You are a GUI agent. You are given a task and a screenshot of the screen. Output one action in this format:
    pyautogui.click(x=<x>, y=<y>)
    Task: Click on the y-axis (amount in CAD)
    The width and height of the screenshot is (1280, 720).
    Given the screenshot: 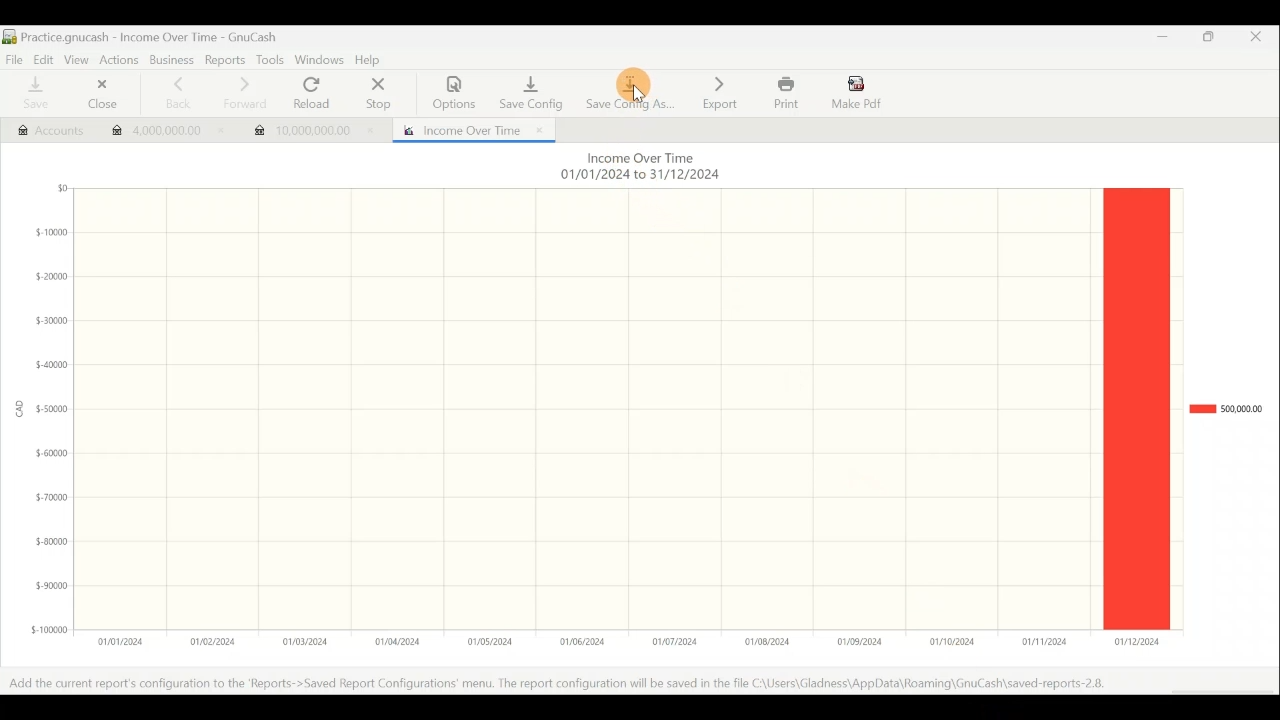 What is the action you would take?
    pyautogui.click(x=46, y=417)
    